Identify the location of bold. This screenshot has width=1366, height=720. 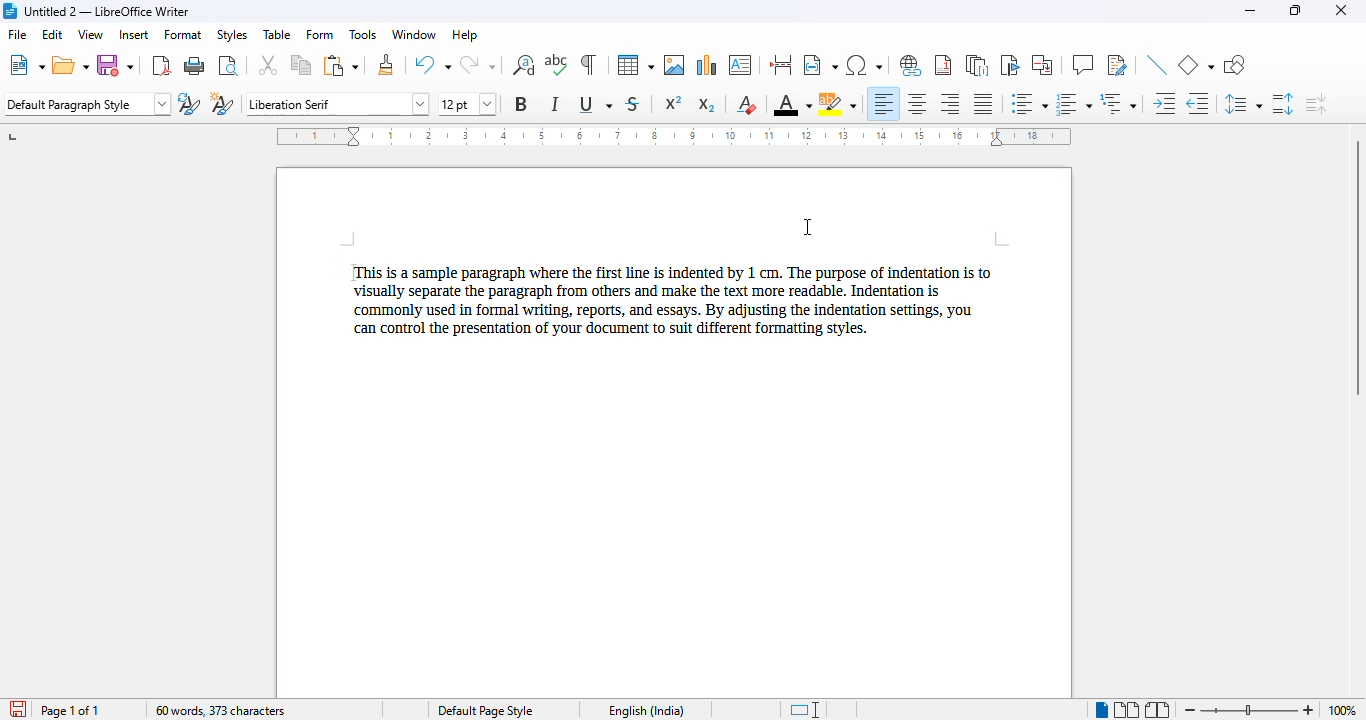
(521, 104).